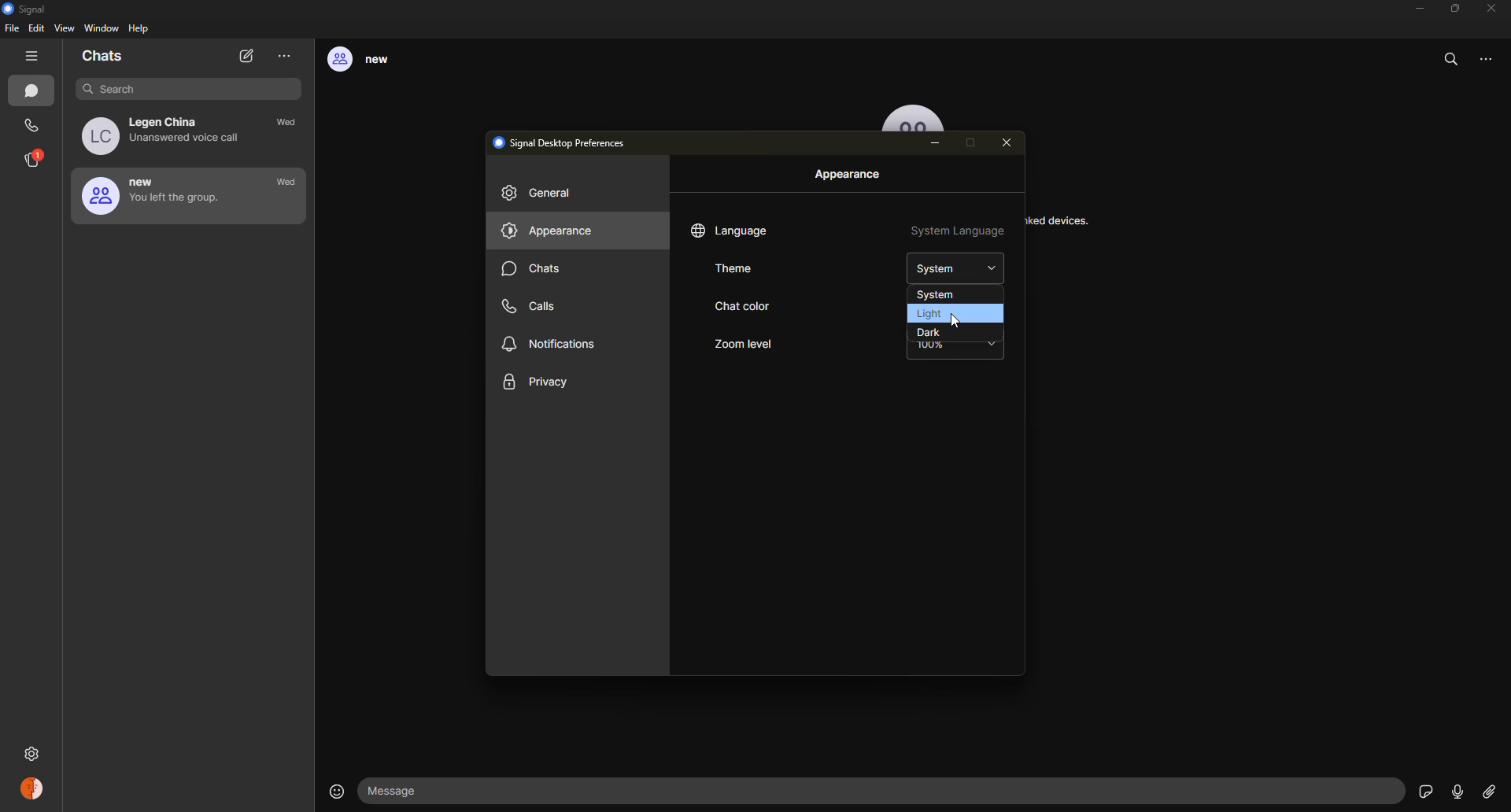  Describe the element at coordinates (33, 126) in the screenshot. I see `calls` at that location.